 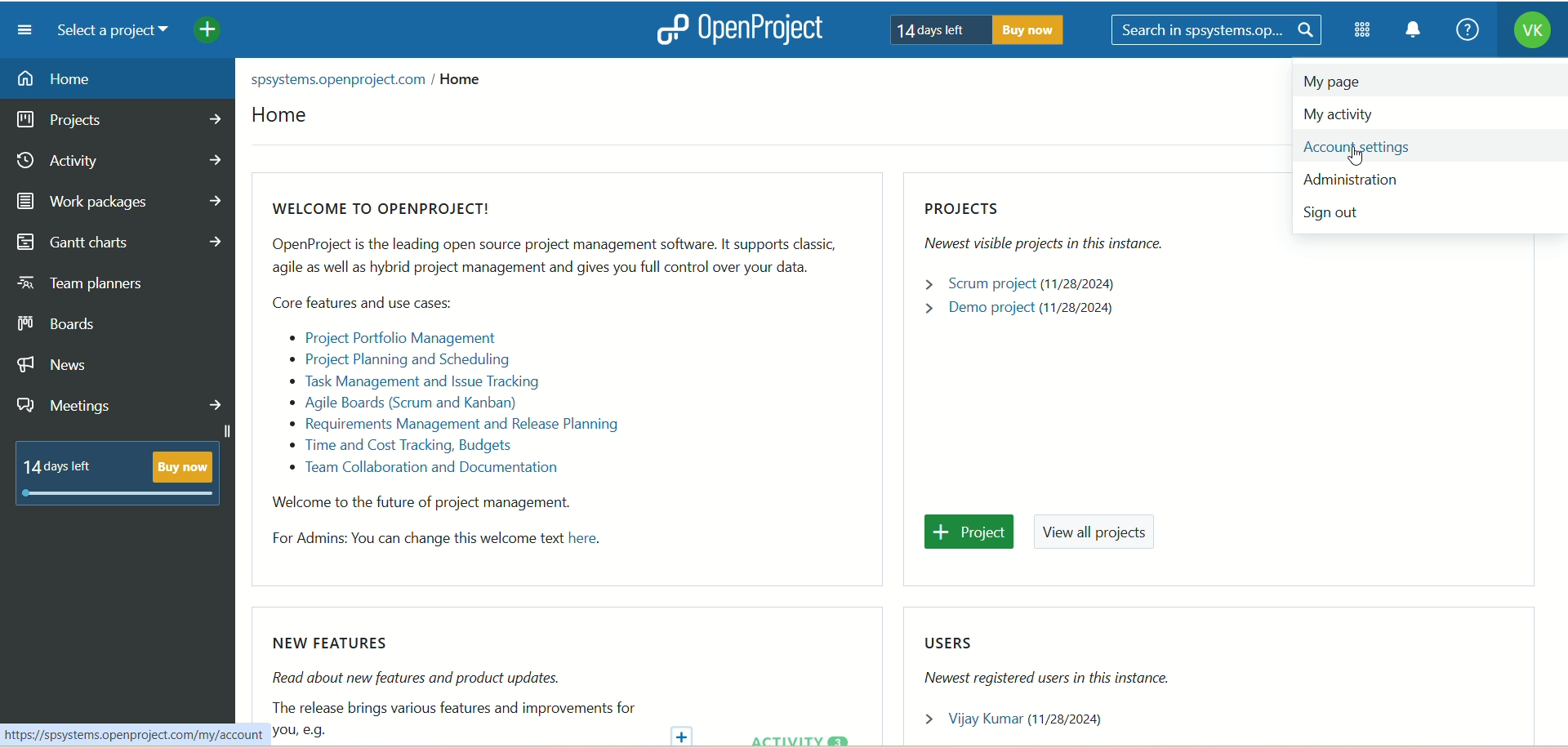 I want to click on activity, so click(x=118, y=162).